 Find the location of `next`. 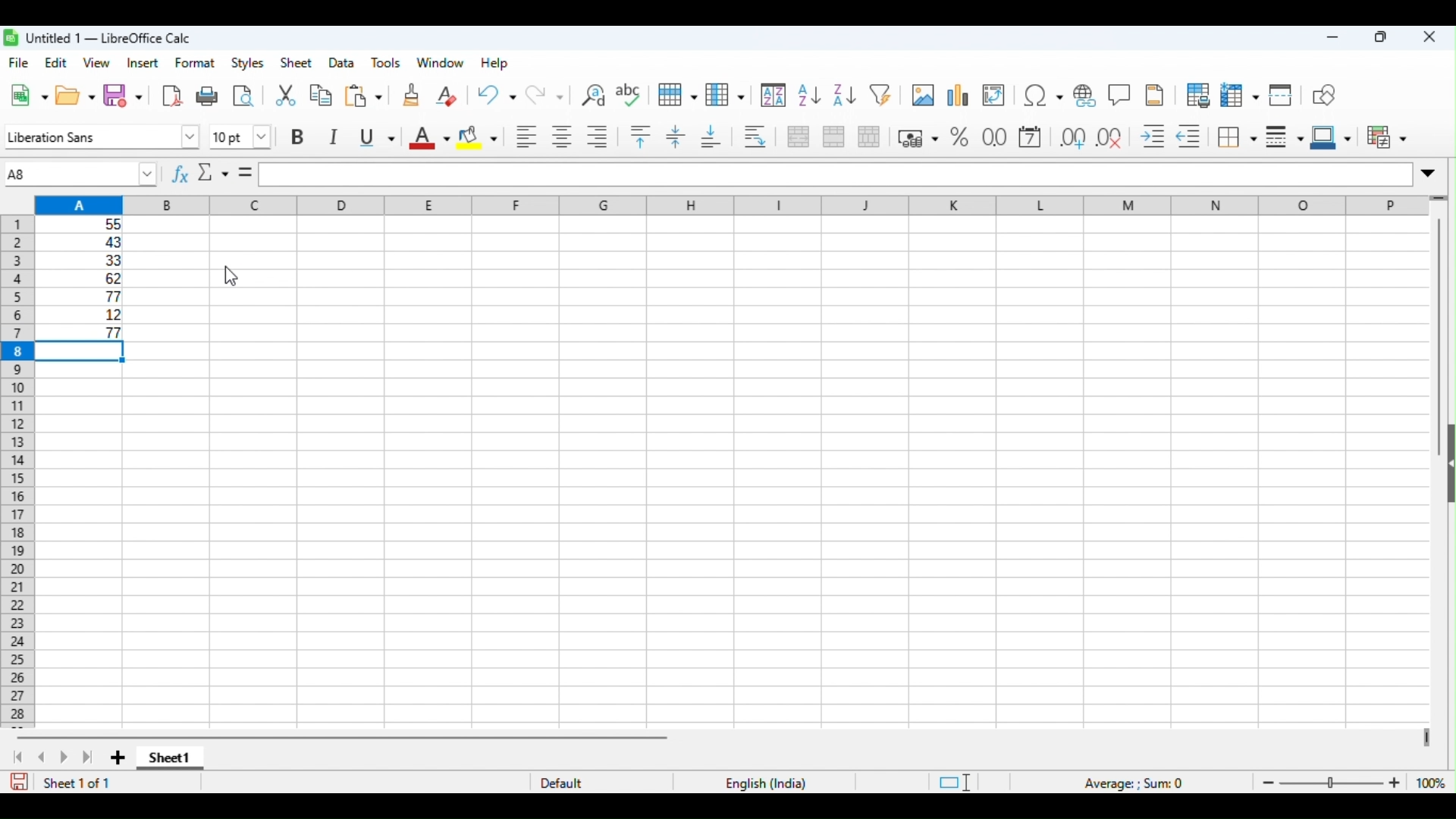

next is located at coordinates (62, 756).